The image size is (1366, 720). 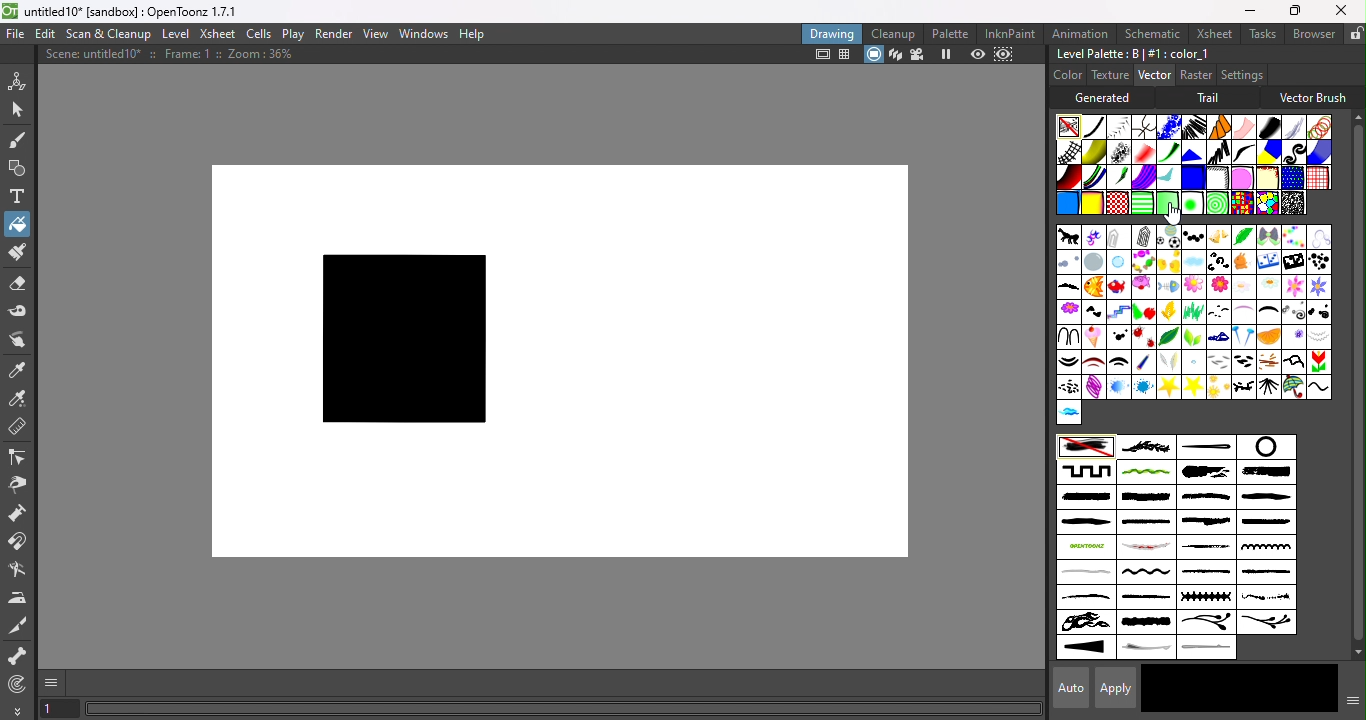 What do you see at coordinates (832, 33) in the screenshot?
I see `Drawing` at bounding box center [832, 33].